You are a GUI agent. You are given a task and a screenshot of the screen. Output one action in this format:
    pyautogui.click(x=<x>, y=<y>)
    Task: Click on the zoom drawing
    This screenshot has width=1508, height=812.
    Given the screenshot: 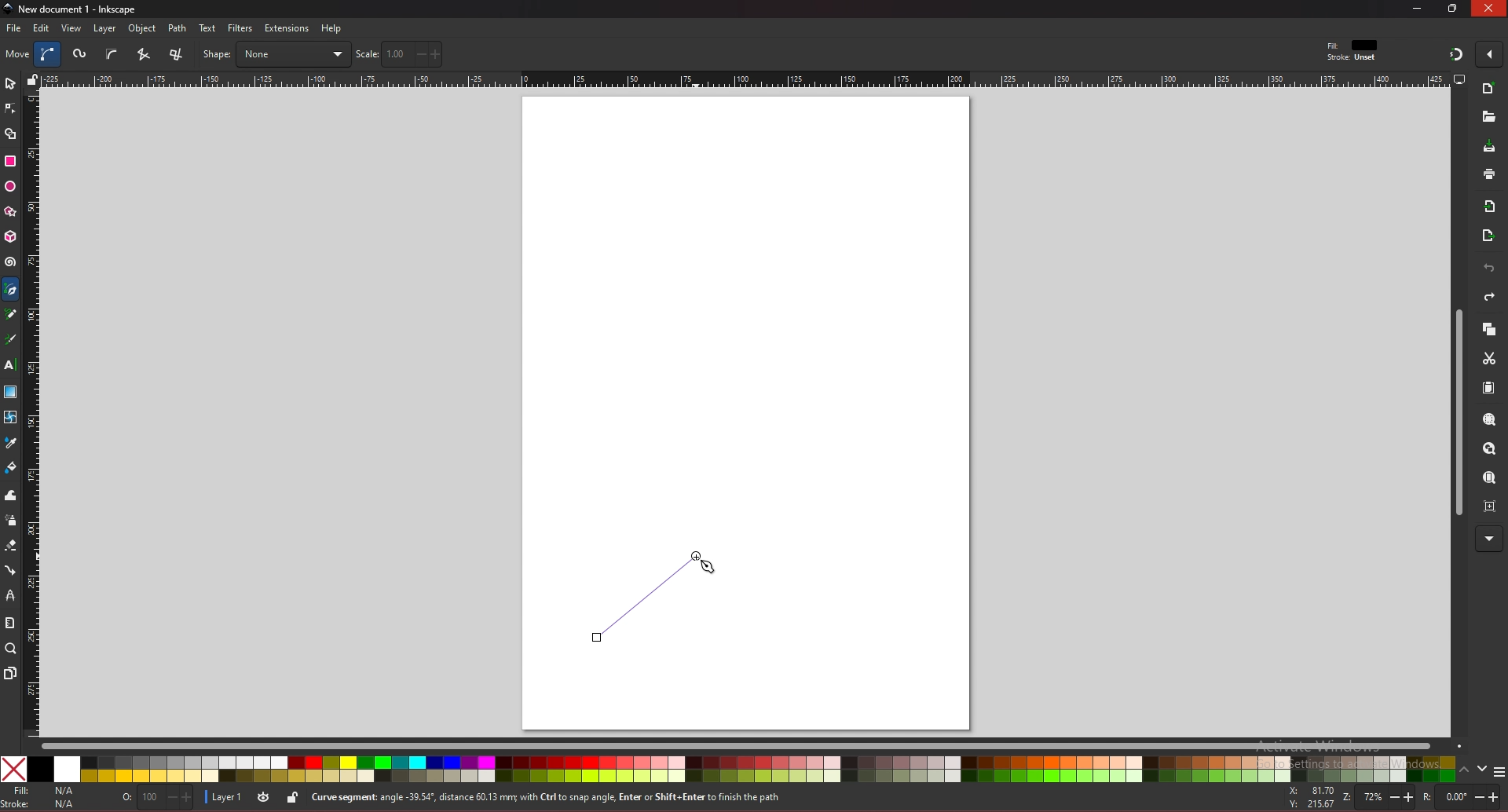 What is the action you would take?
    pyautogui.click(x=1488, y=449)
    